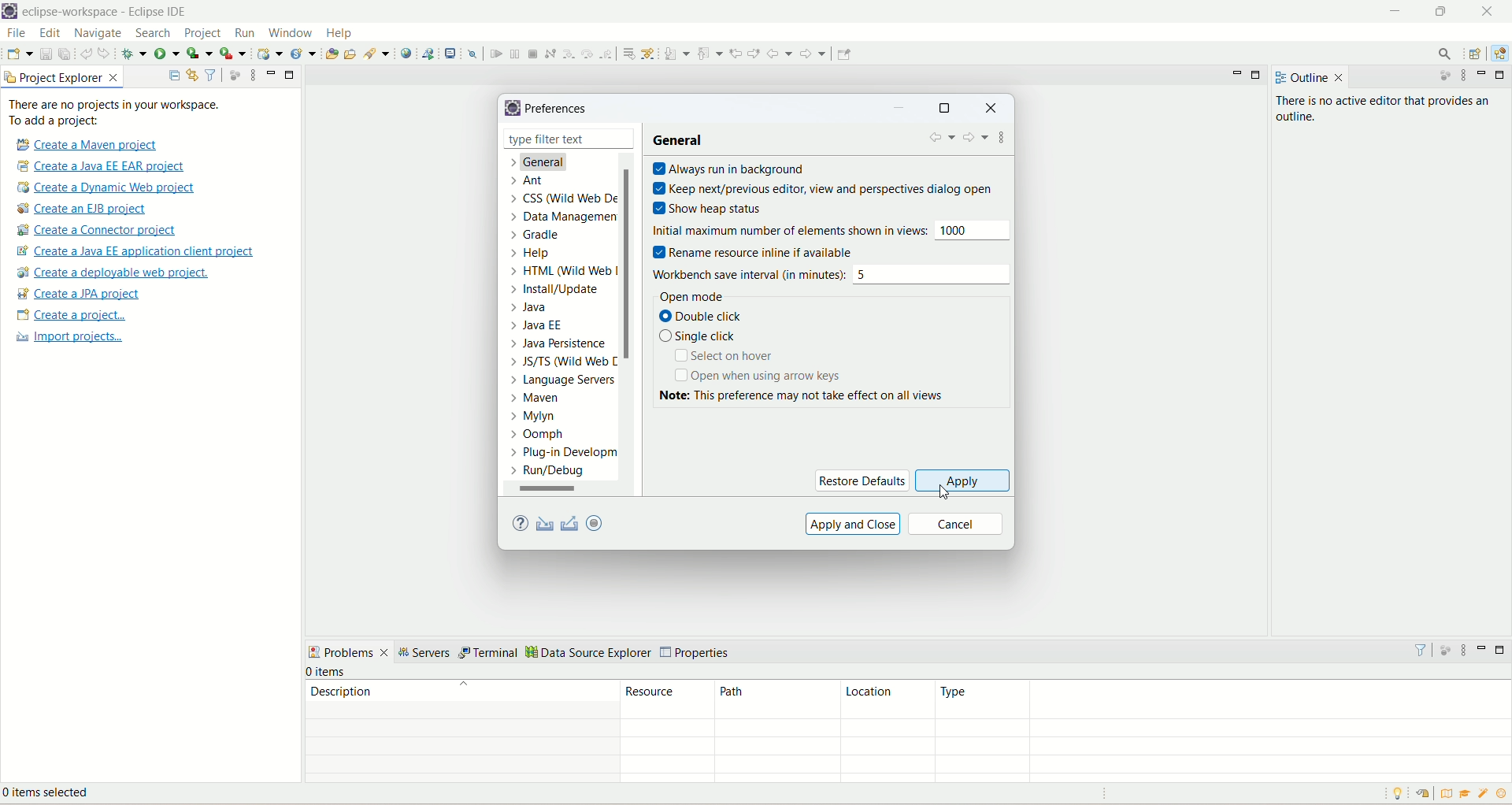  I want to click on There are no projects in your workspace. To add a project:, so click(115, 113).